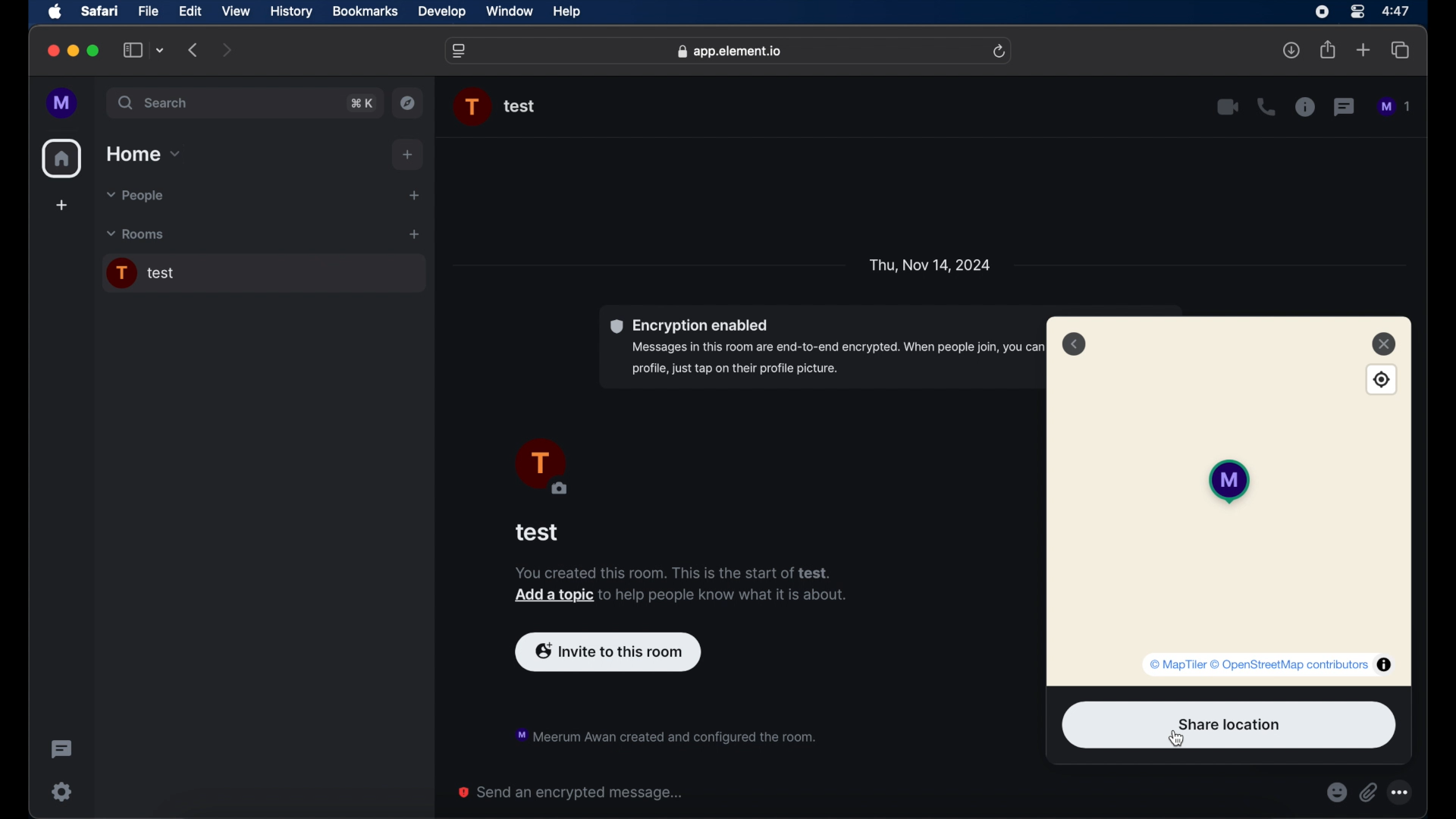  I want to click on minimize, so click(73, 51).